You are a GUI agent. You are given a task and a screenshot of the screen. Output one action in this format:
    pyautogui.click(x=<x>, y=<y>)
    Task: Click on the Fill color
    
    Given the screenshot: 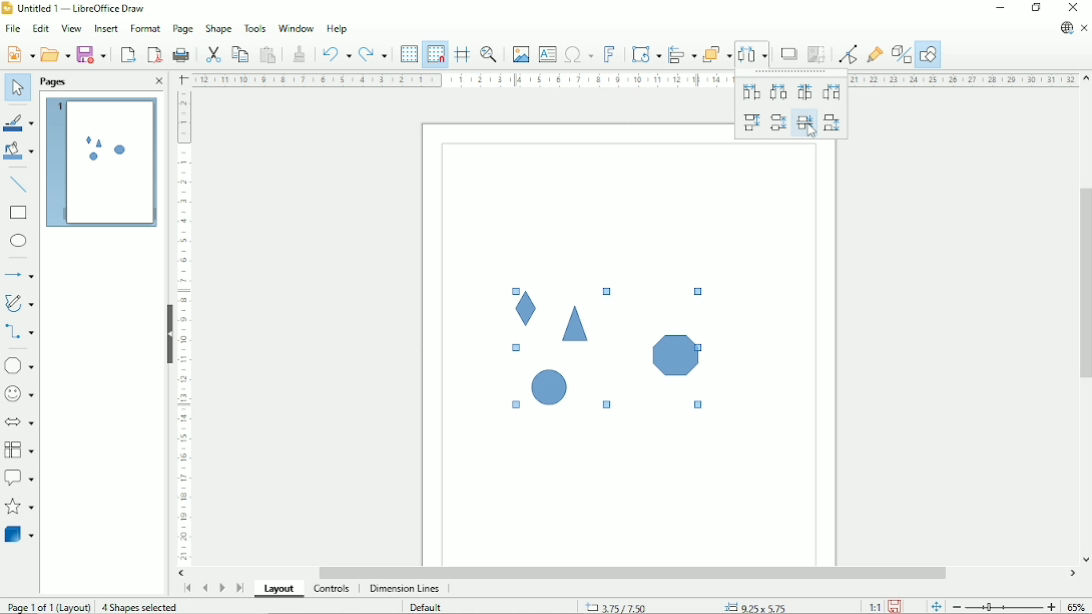 What is the action you would take?
    pyautogui.click(x=20, y=153)
    